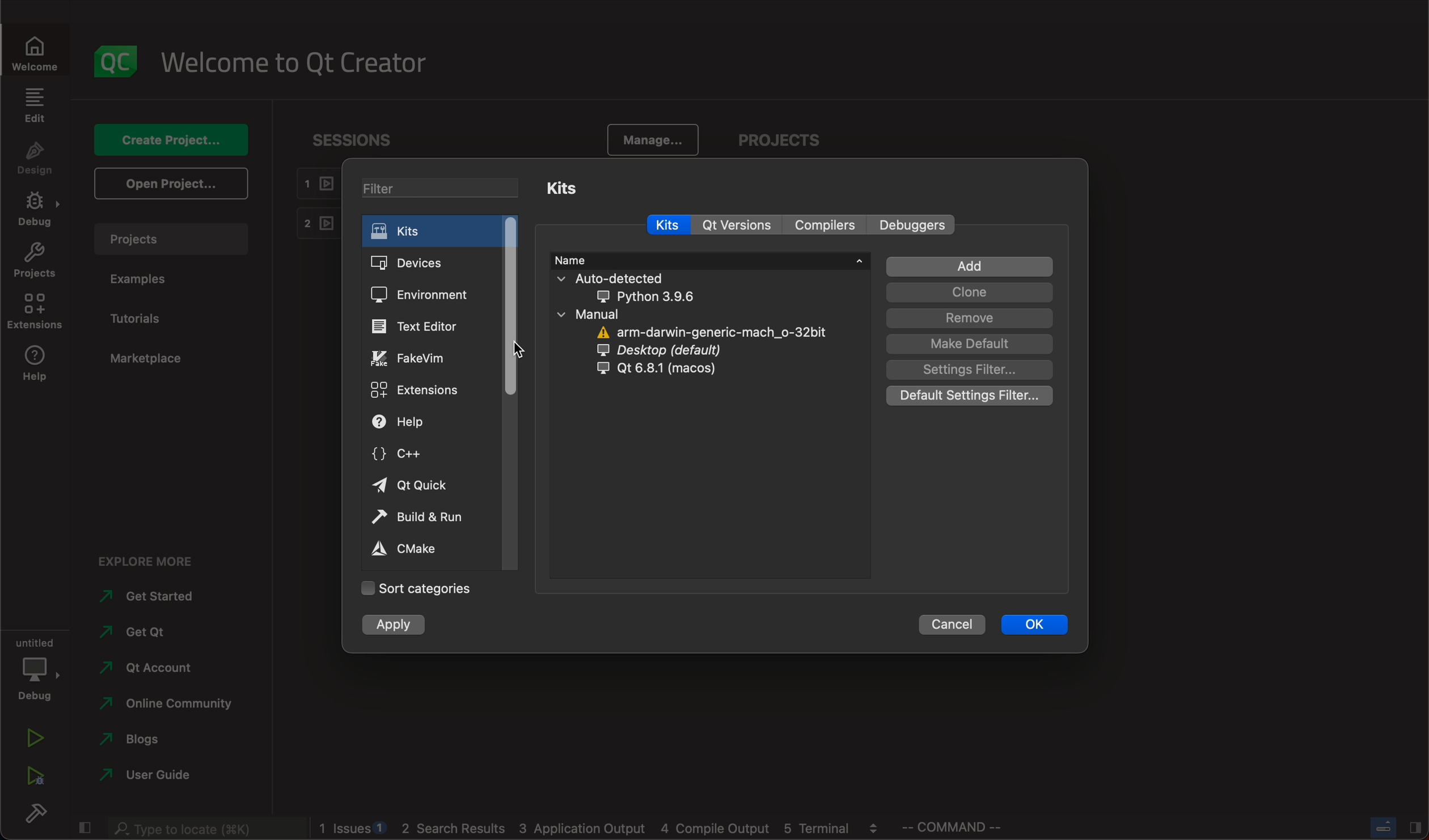 The height and width of the screenshot is (840, 1429). Describe the element at coordinates (148, 776) in the screenshot. I see `use guide` at that location.